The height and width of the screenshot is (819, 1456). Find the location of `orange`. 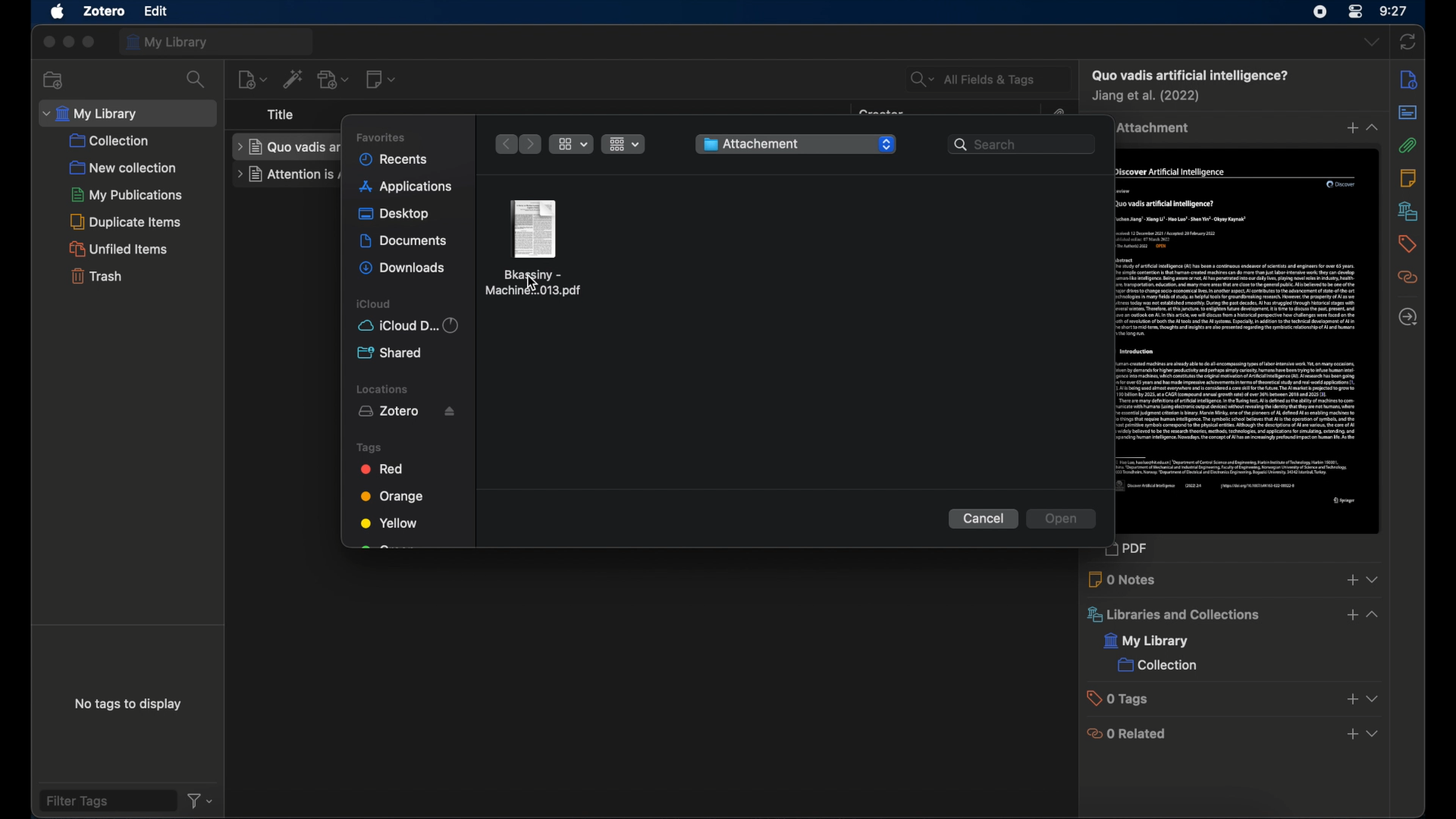

orange is located at coordinates (396, 496).